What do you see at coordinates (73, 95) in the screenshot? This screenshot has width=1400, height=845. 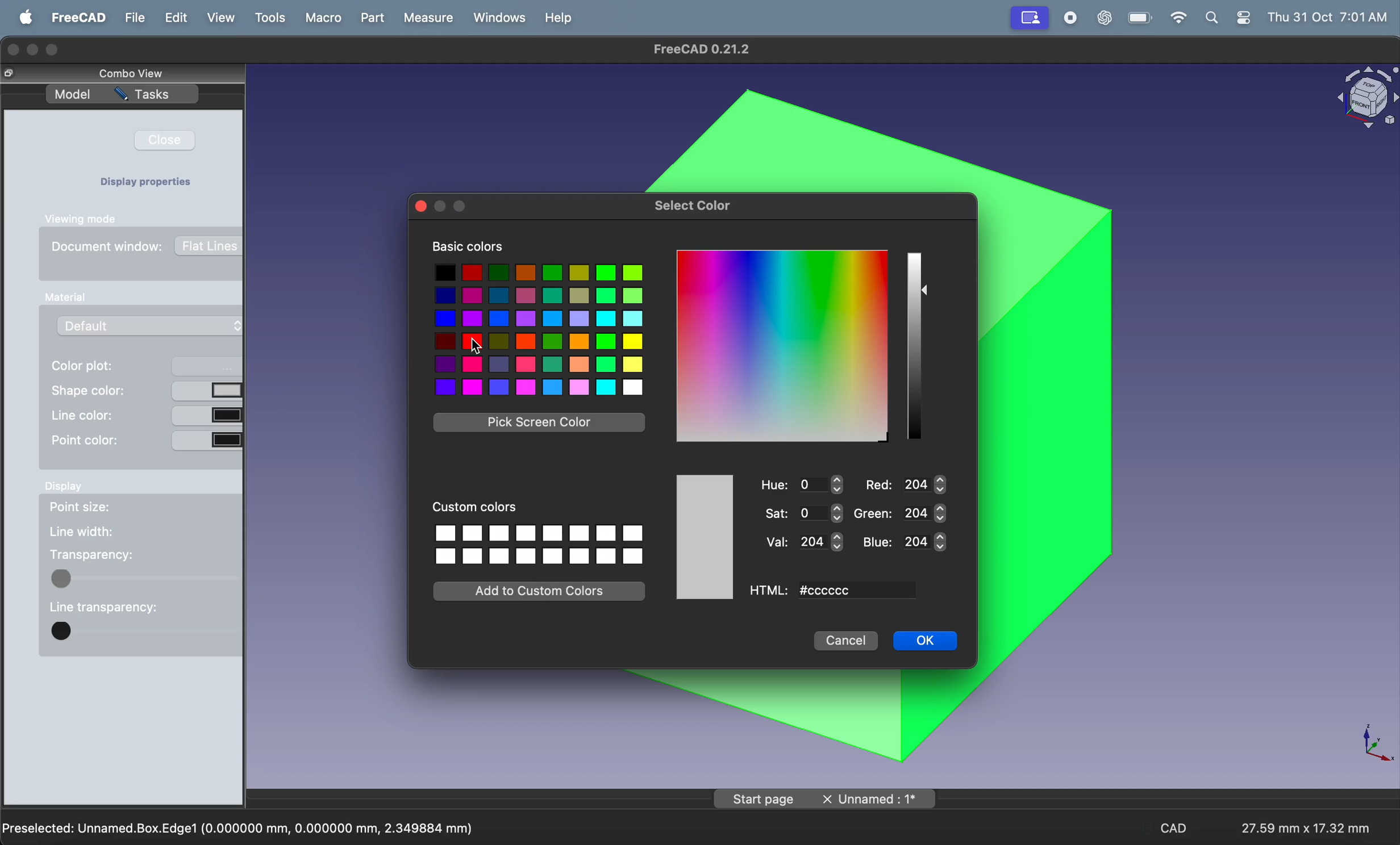 I see `model` at bounding box center [73, 95].